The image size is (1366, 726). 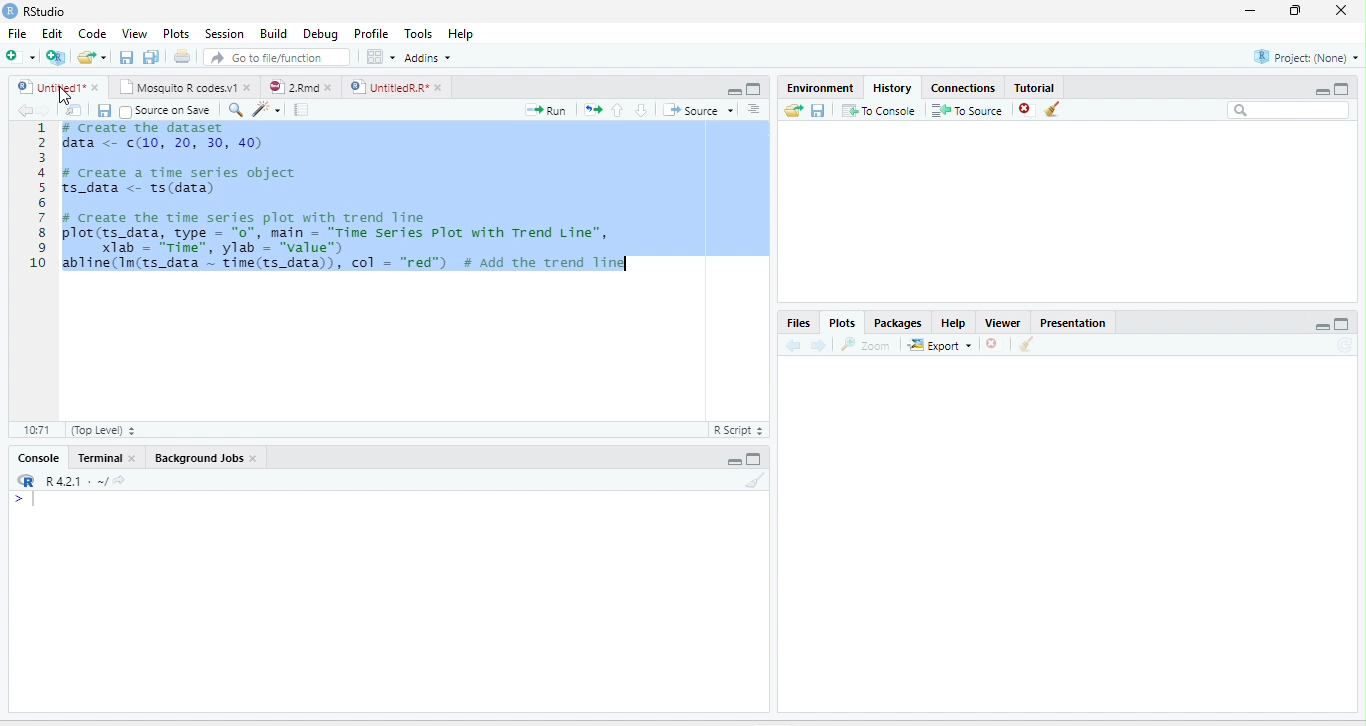 I want to click on close, so click(x=254, y=458).